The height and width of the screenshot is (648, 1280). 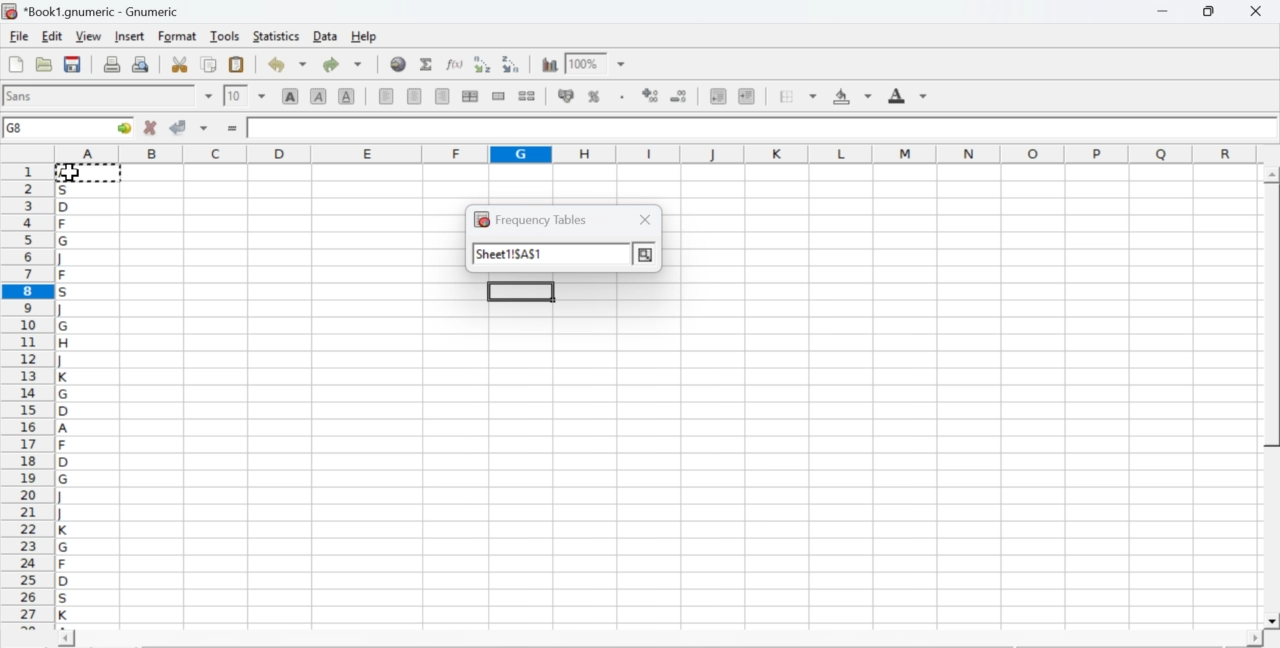 I want to click on insert chart, so click(x=550, y=63).